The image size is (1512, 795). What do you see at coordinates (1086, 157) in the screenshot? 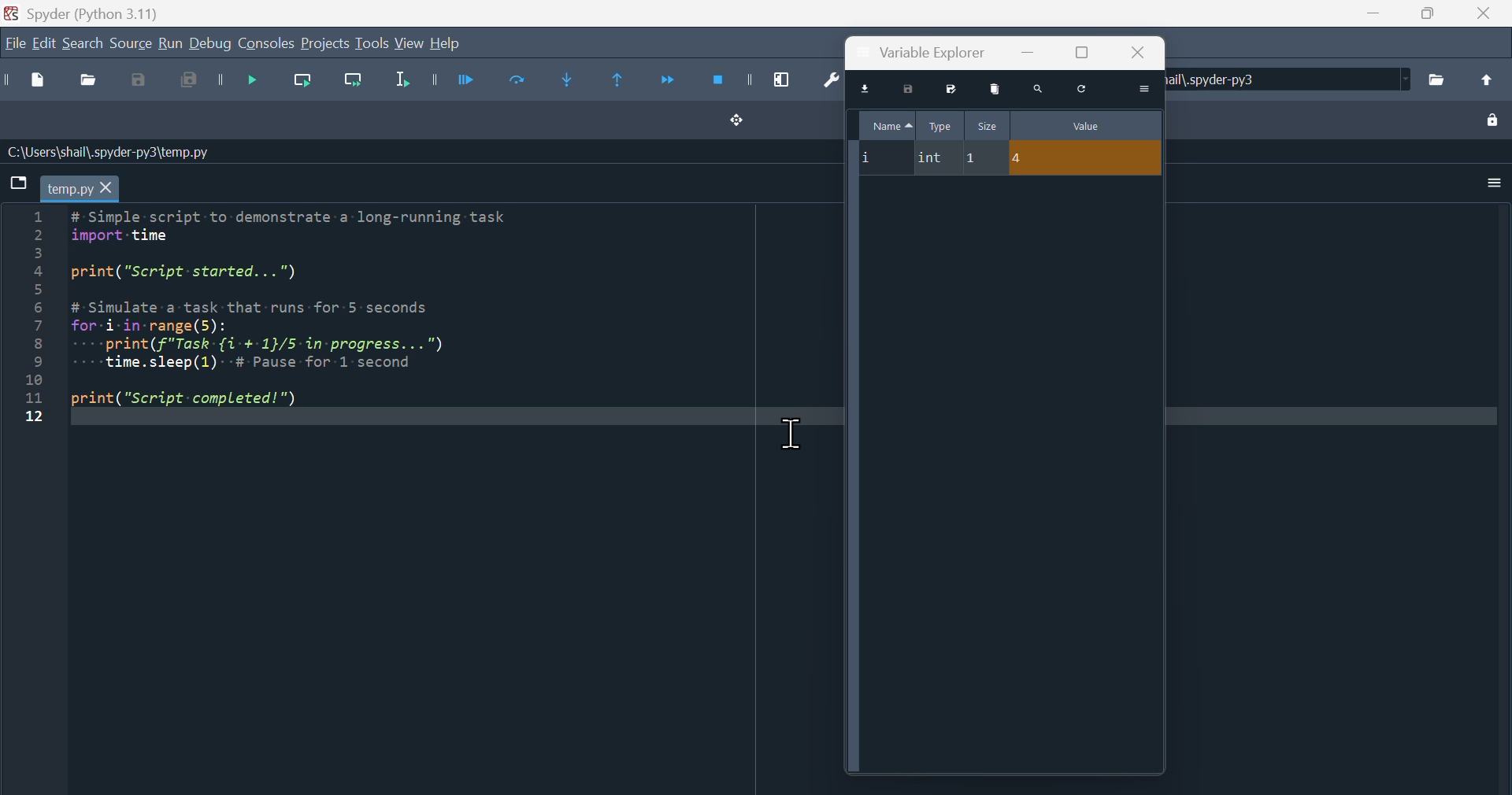
I see `4` at bounding box center [1086, 157].